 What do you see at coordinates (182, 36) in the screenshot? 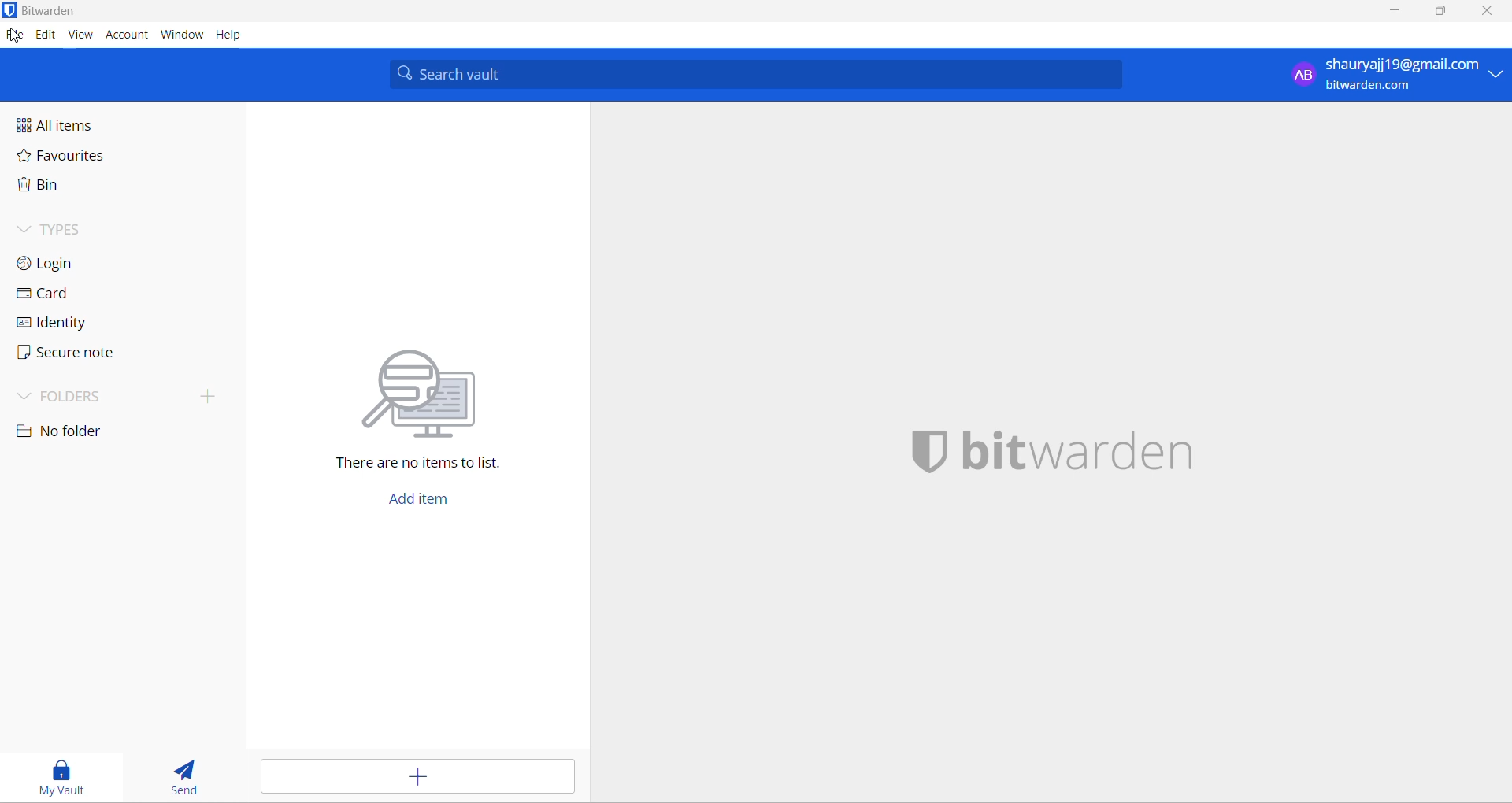
I see `window` at bounding box center [182, 36].